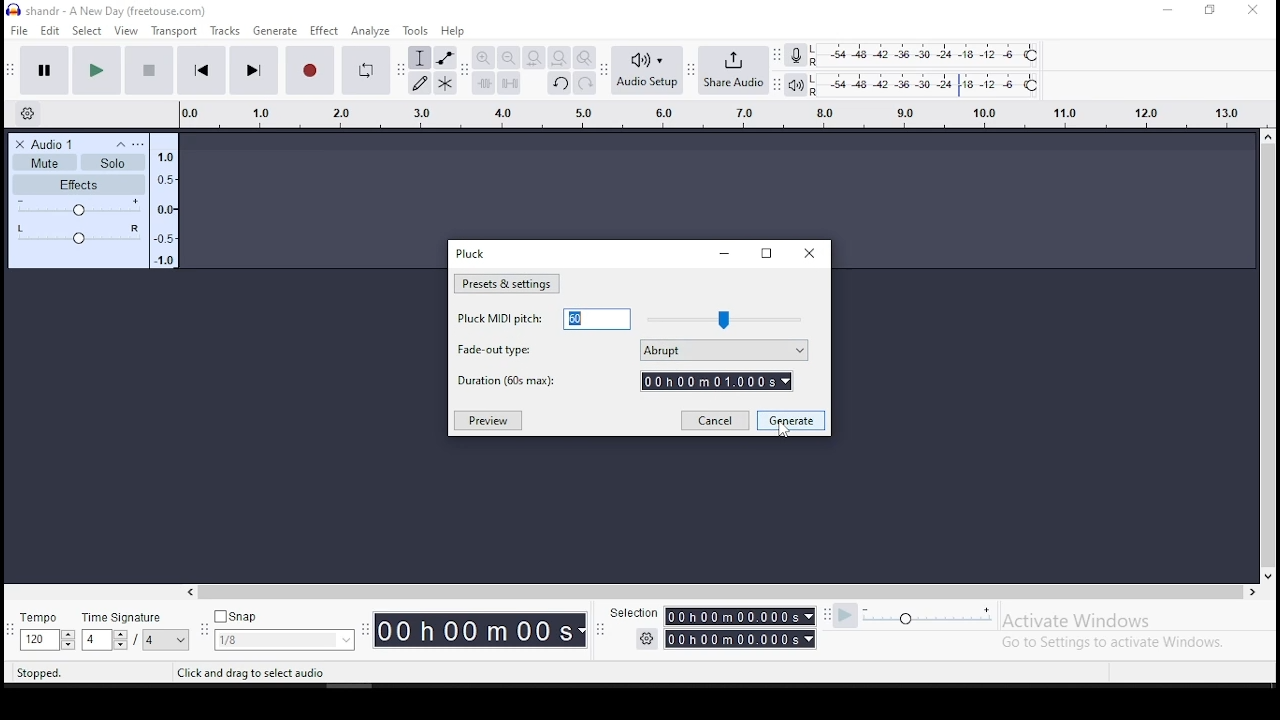 Image resolution: width=1280 pixels, height=720 pixels. What do you see at coordinates (791, 420) in the screenshot?
I see `generate` at bounding box center [791, 420].